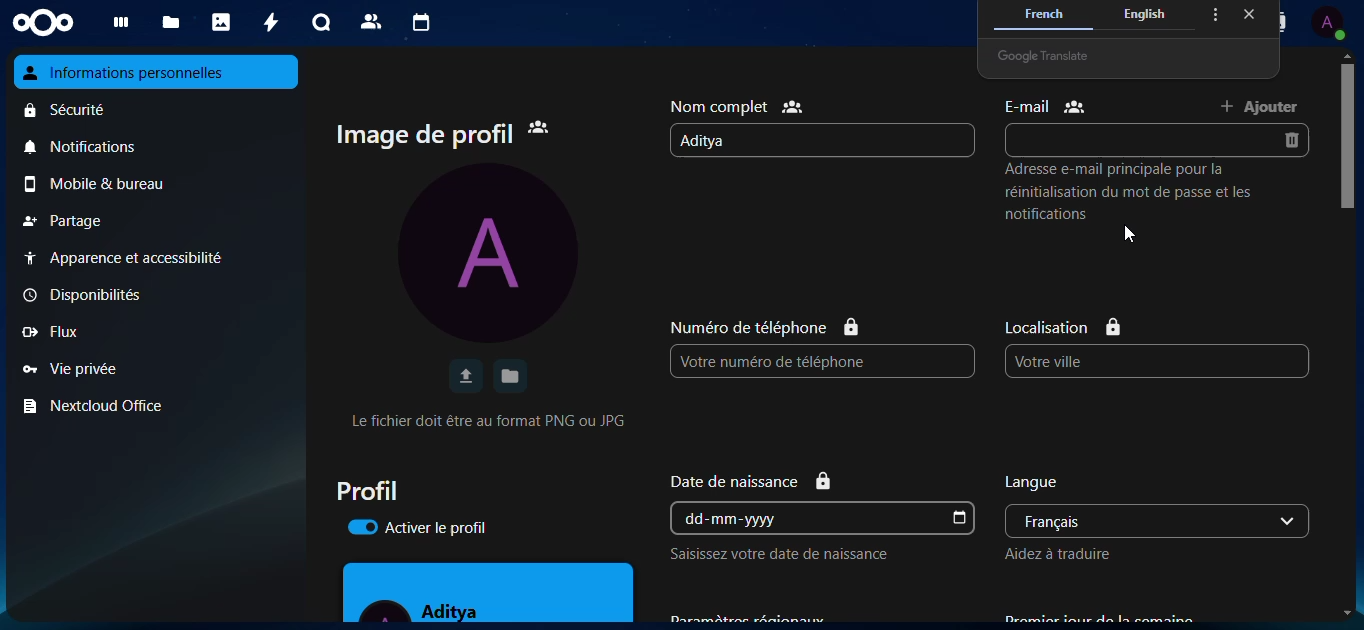  Describe the element at coordinates (319, 22) in the screenshot. I see `talk` at that location.